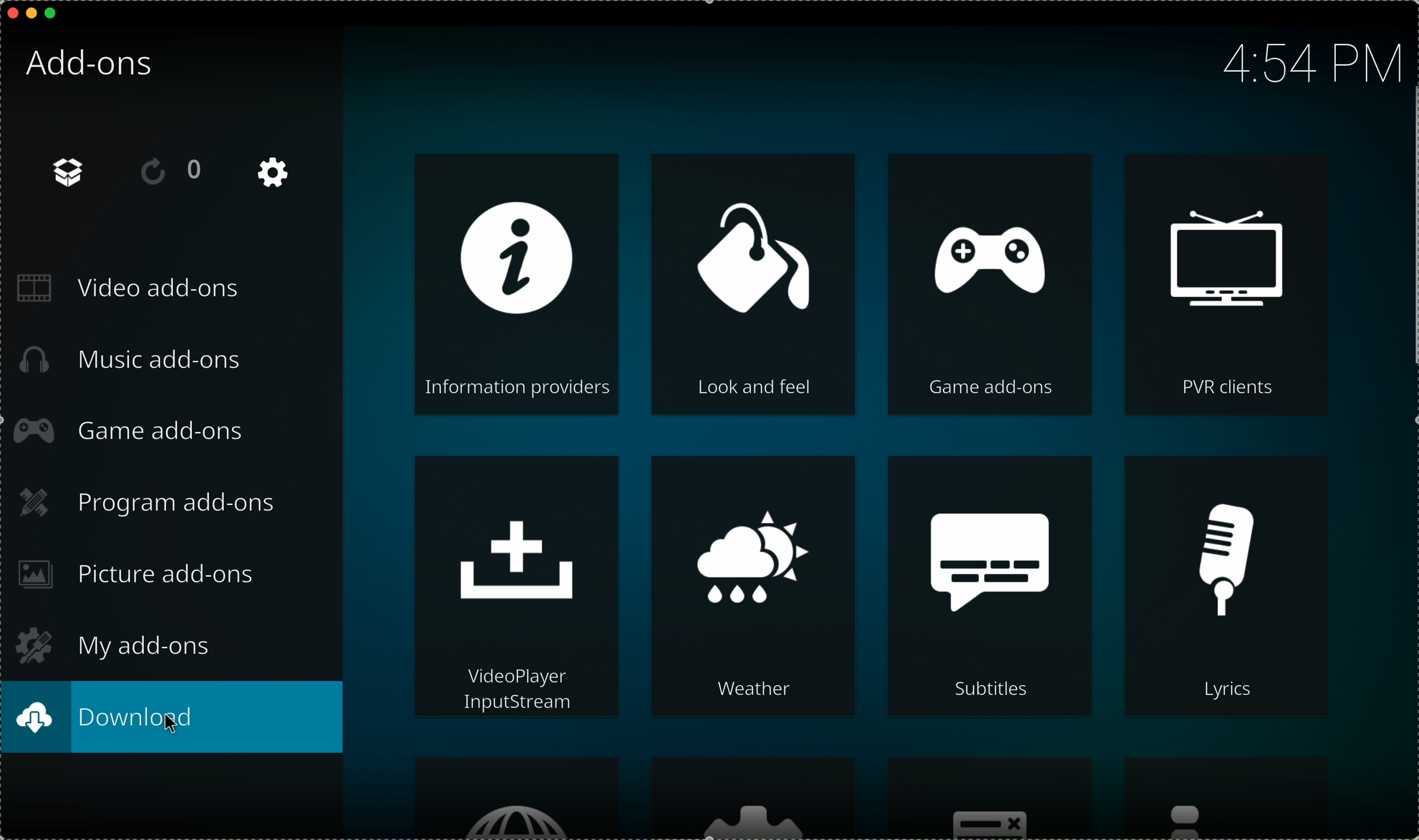 This screenshot has height=840, width=1419. I want to click on subtitles, so click(990, 588).